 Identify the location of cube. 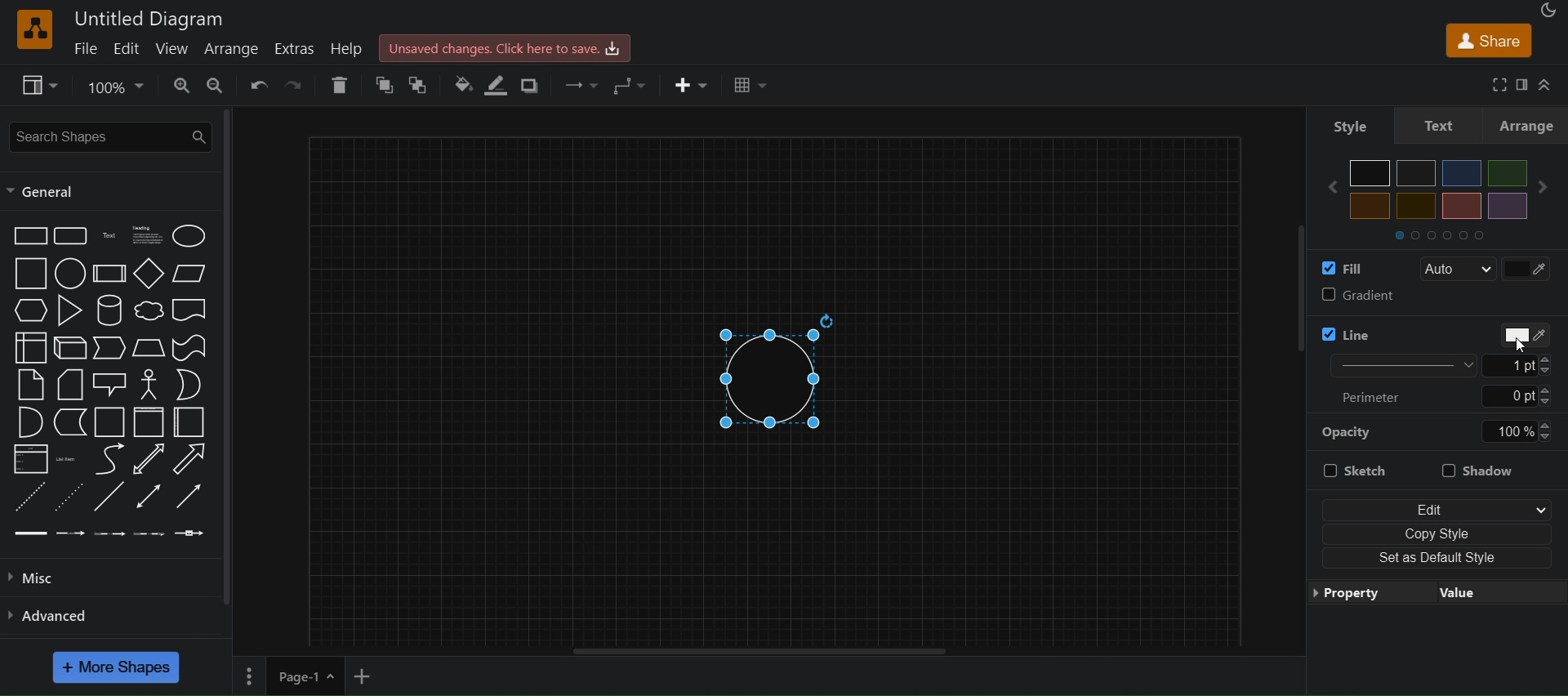
(70, 349).